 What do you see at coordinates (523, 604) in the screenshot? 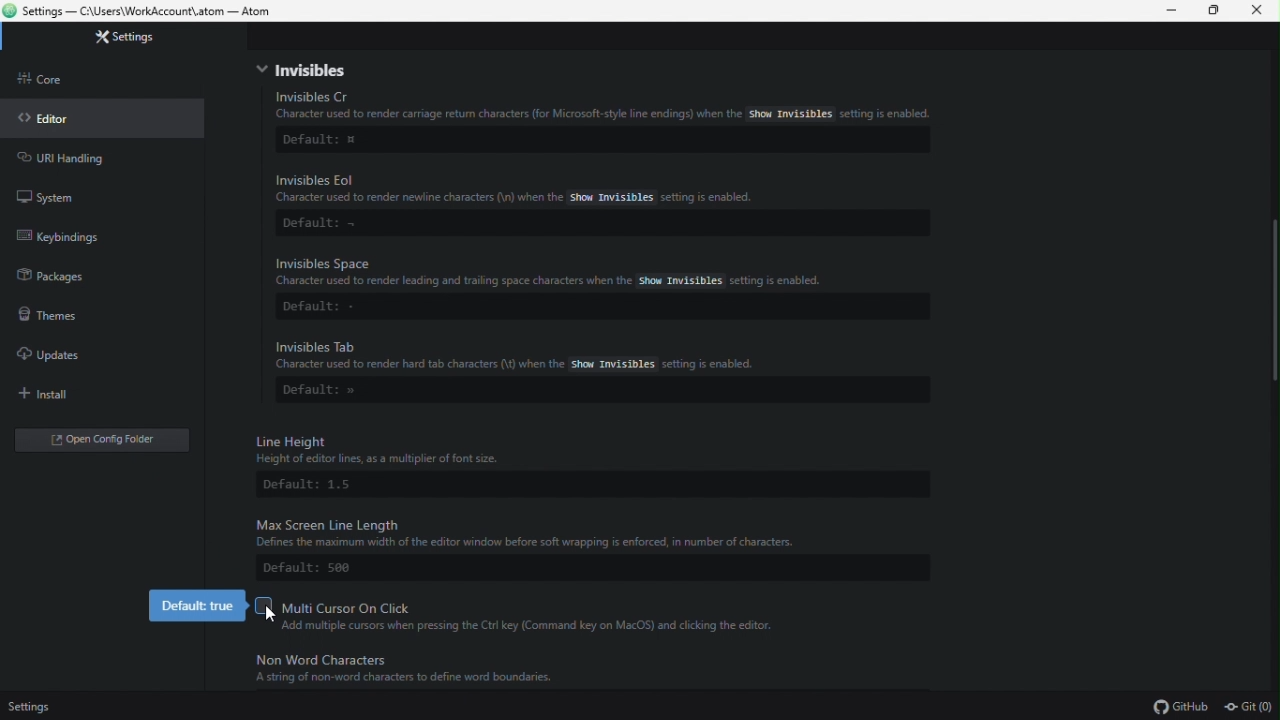
I see `multi cursor on click( disabled)` at bounding box center [523, 604].